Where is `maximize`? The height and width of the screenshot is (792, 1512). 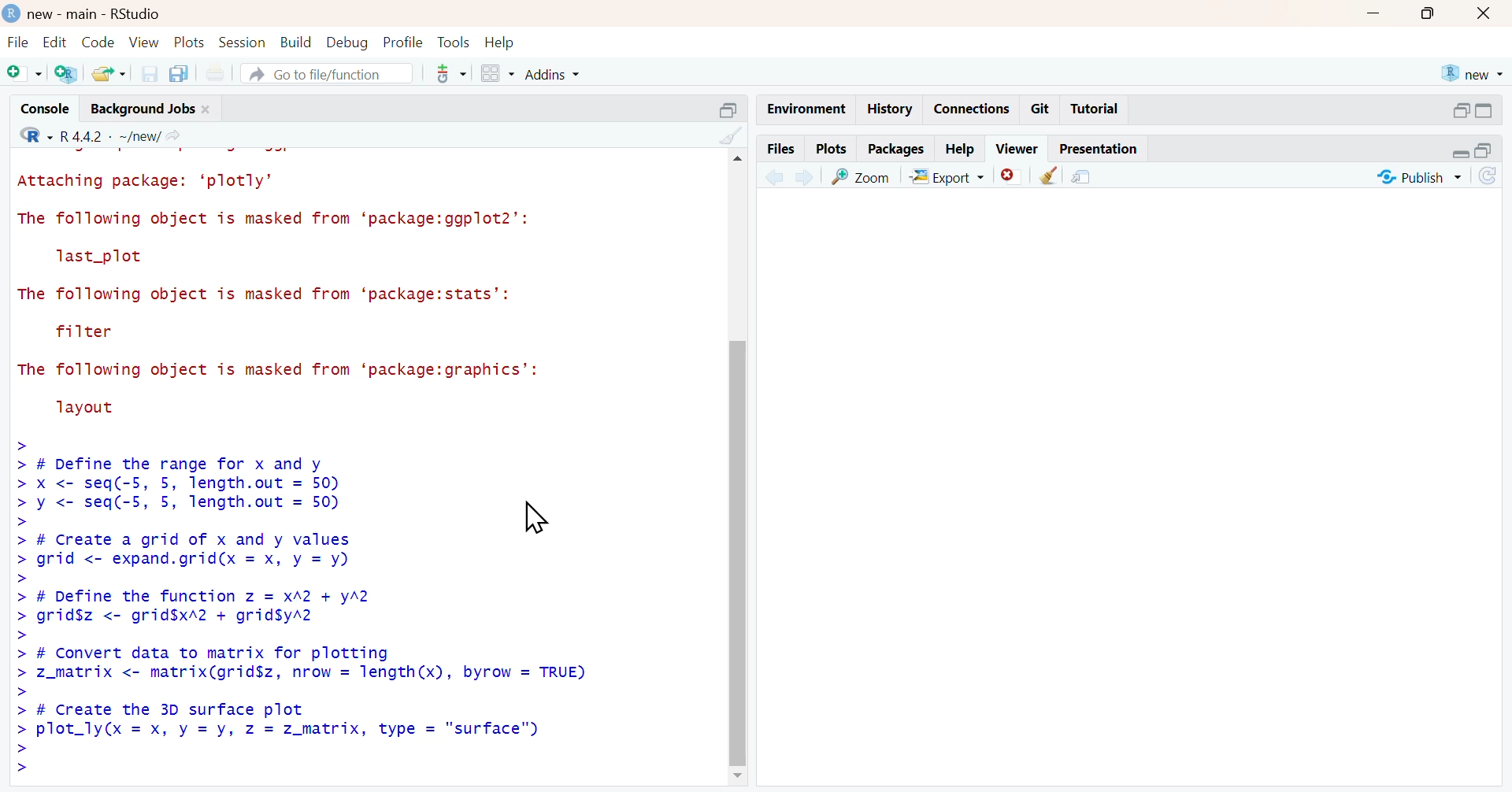
maximize is located at coordinates (1494, 153).